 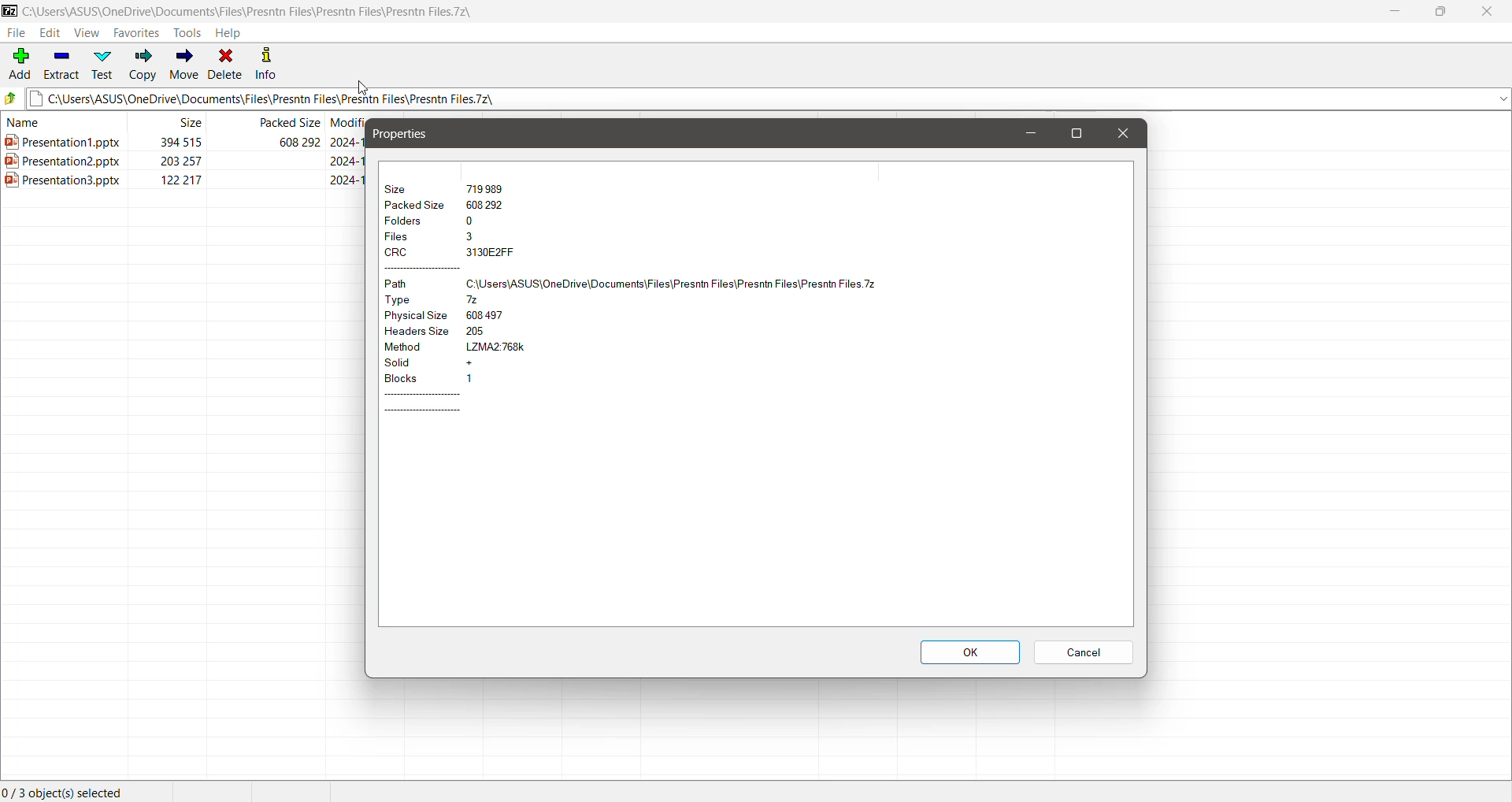 What do you see at coordinates (417, 332) in the screenshot?
I see `Headers Size` at bounding box center [417, 332].